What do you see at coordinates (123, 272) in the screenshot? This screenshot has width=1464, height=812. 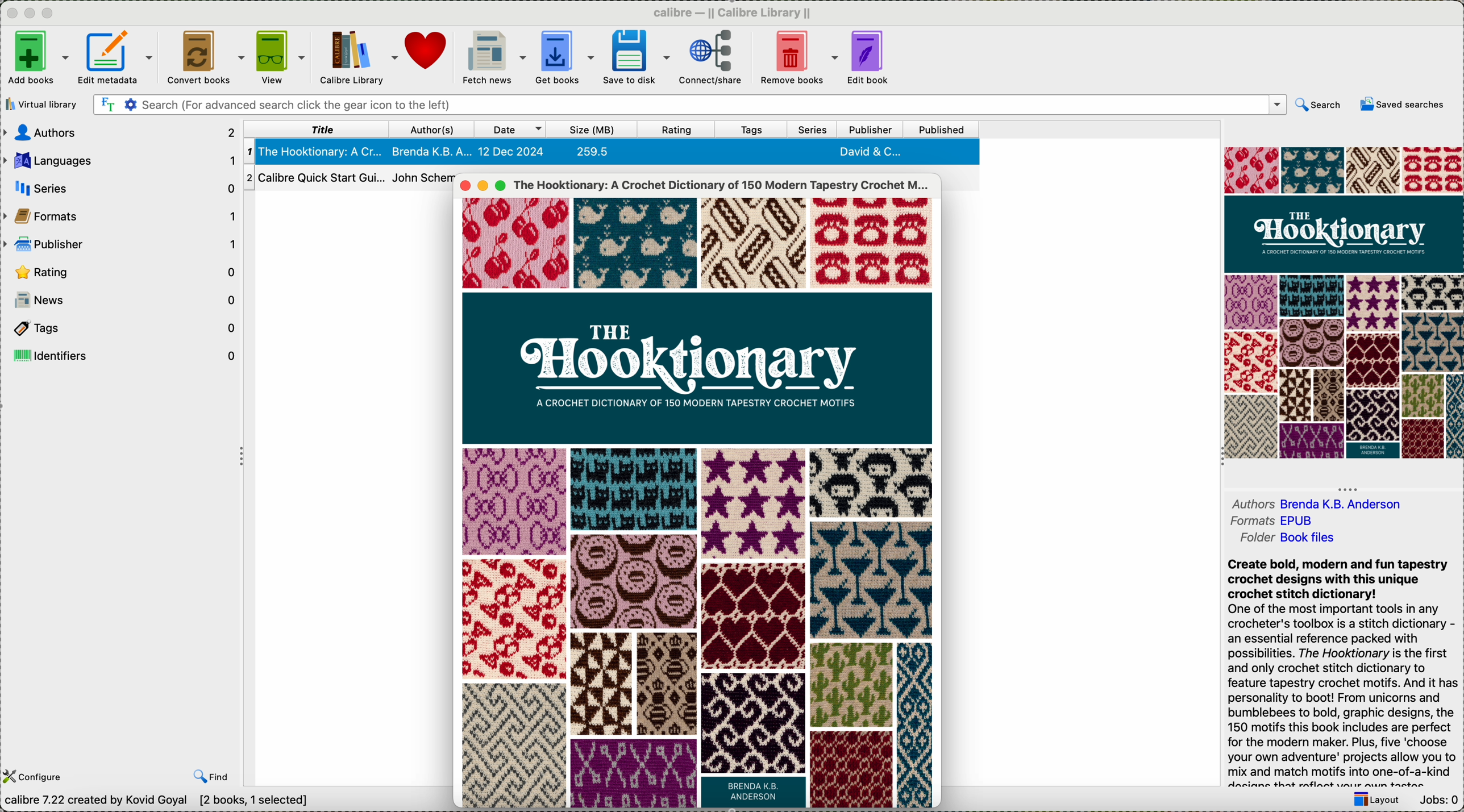 I see `rating` at bounding box center [123, 272].